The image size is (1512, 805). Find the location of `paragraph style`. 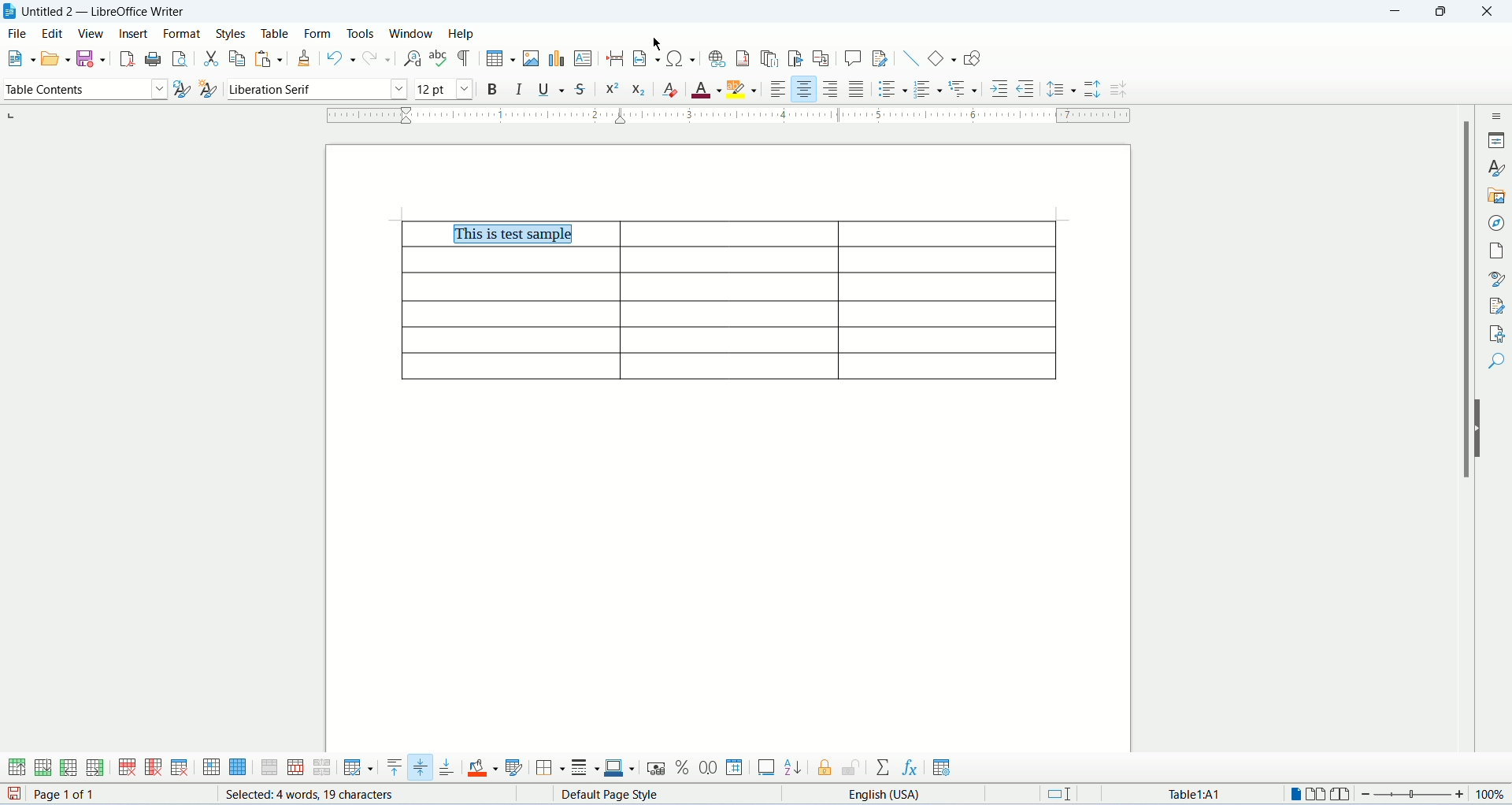

paragraph style is located at coordinates (83, 90).